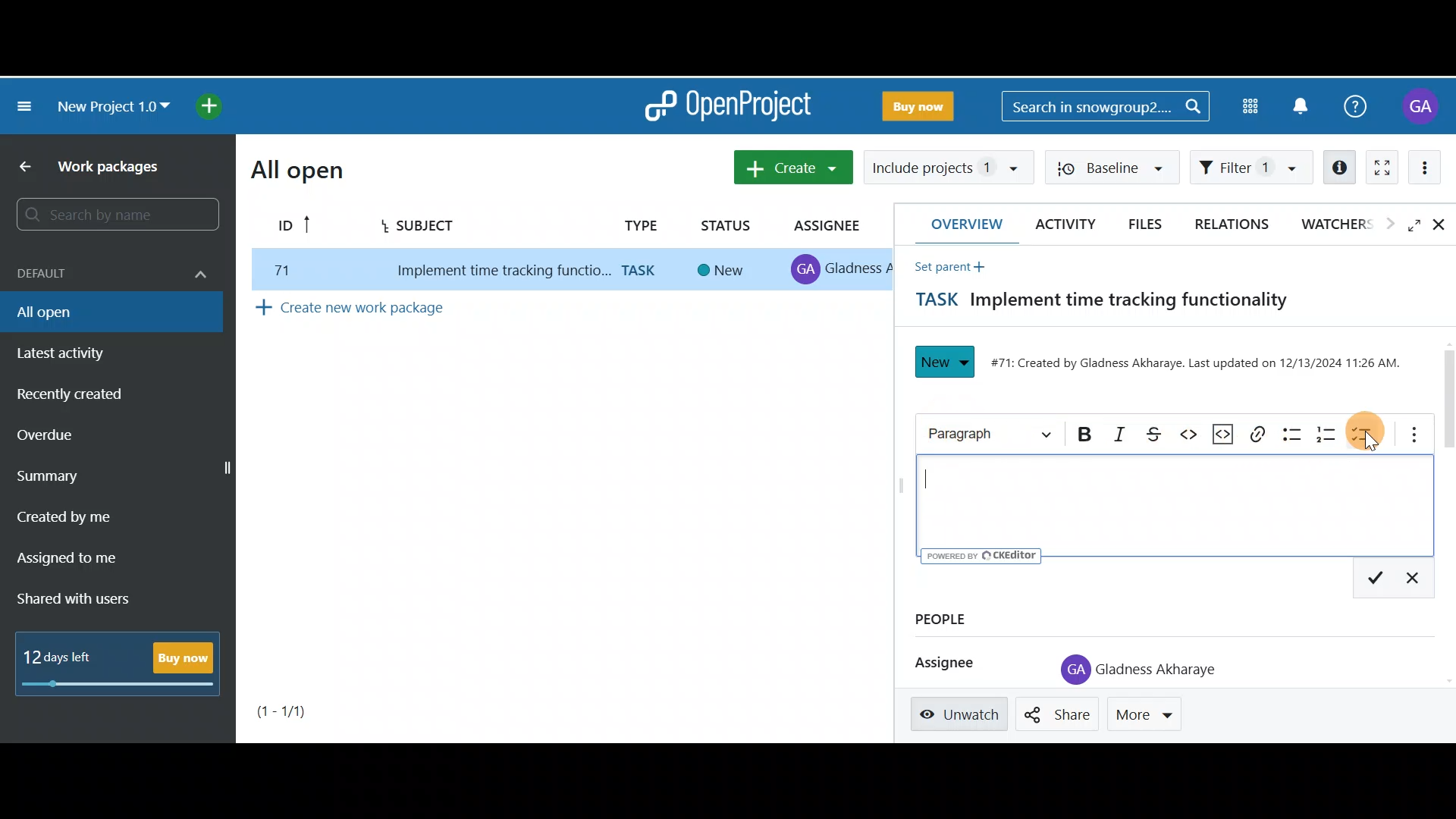  Describe the element at coordinates (73, 395) in the screenshot. I see `Recently created` at that location.